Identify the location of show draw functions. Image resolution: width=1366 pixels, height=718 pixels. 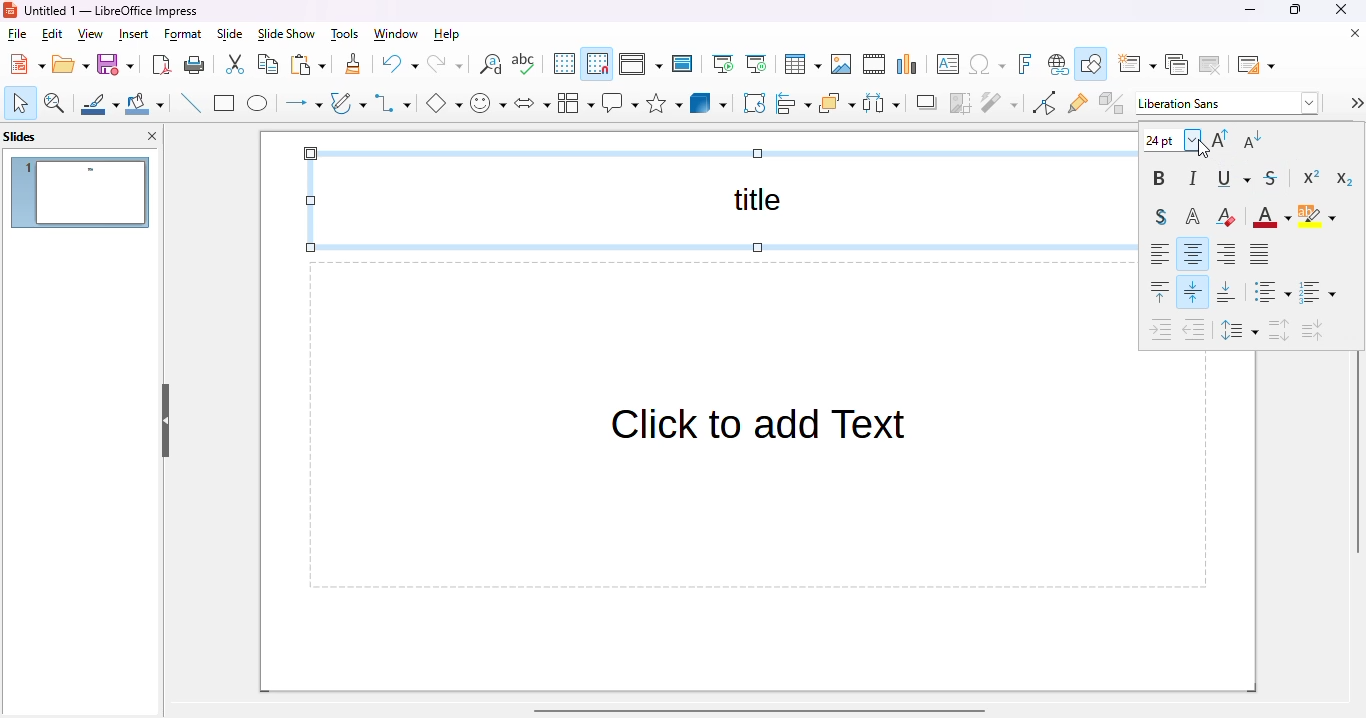
(1091, 63).